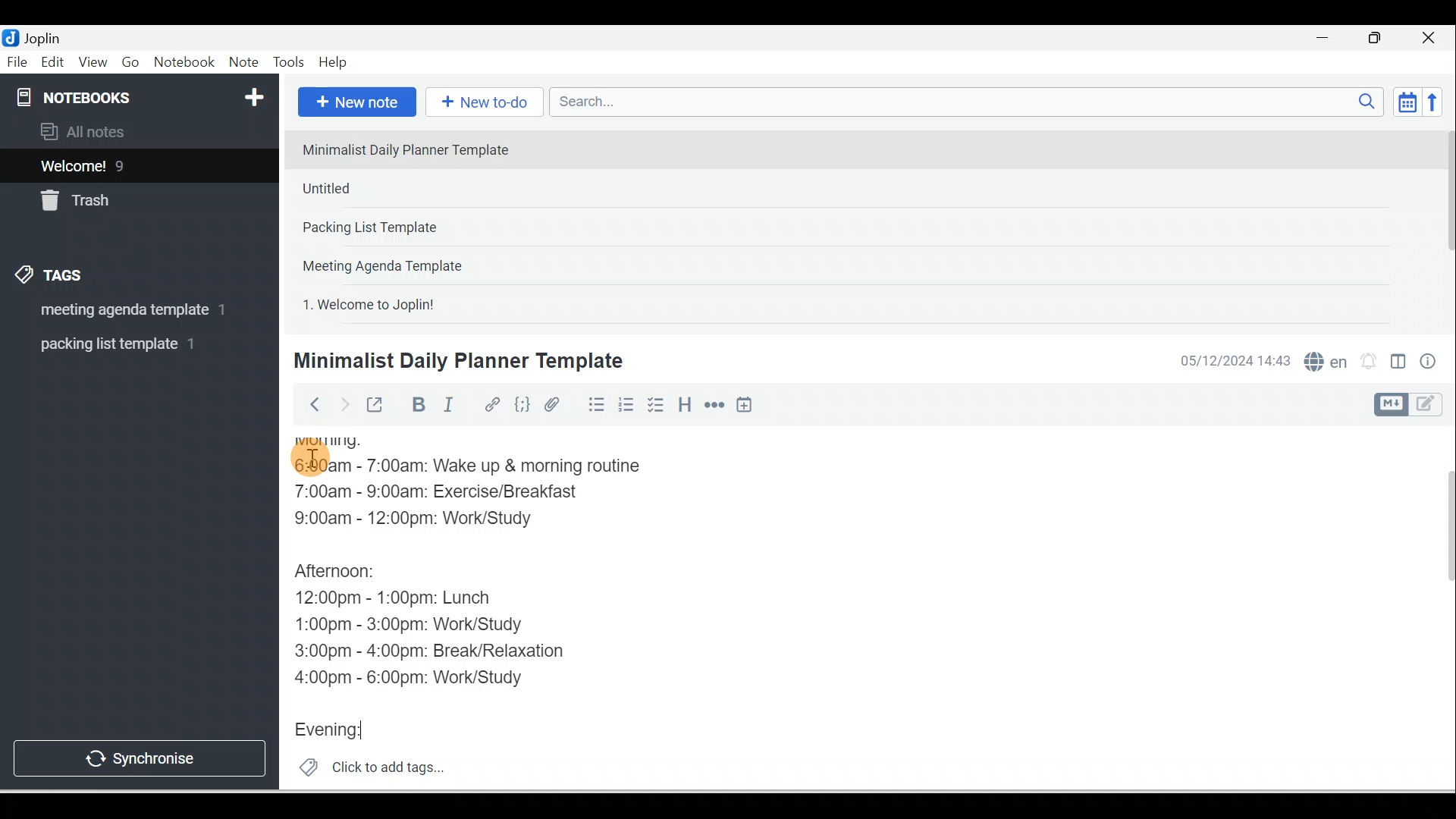 Image resolution: width=1456 pixels, height=819 pixels. I want to click on 4:00pm - 6:00pm: Work/Study, so click(415, 677).